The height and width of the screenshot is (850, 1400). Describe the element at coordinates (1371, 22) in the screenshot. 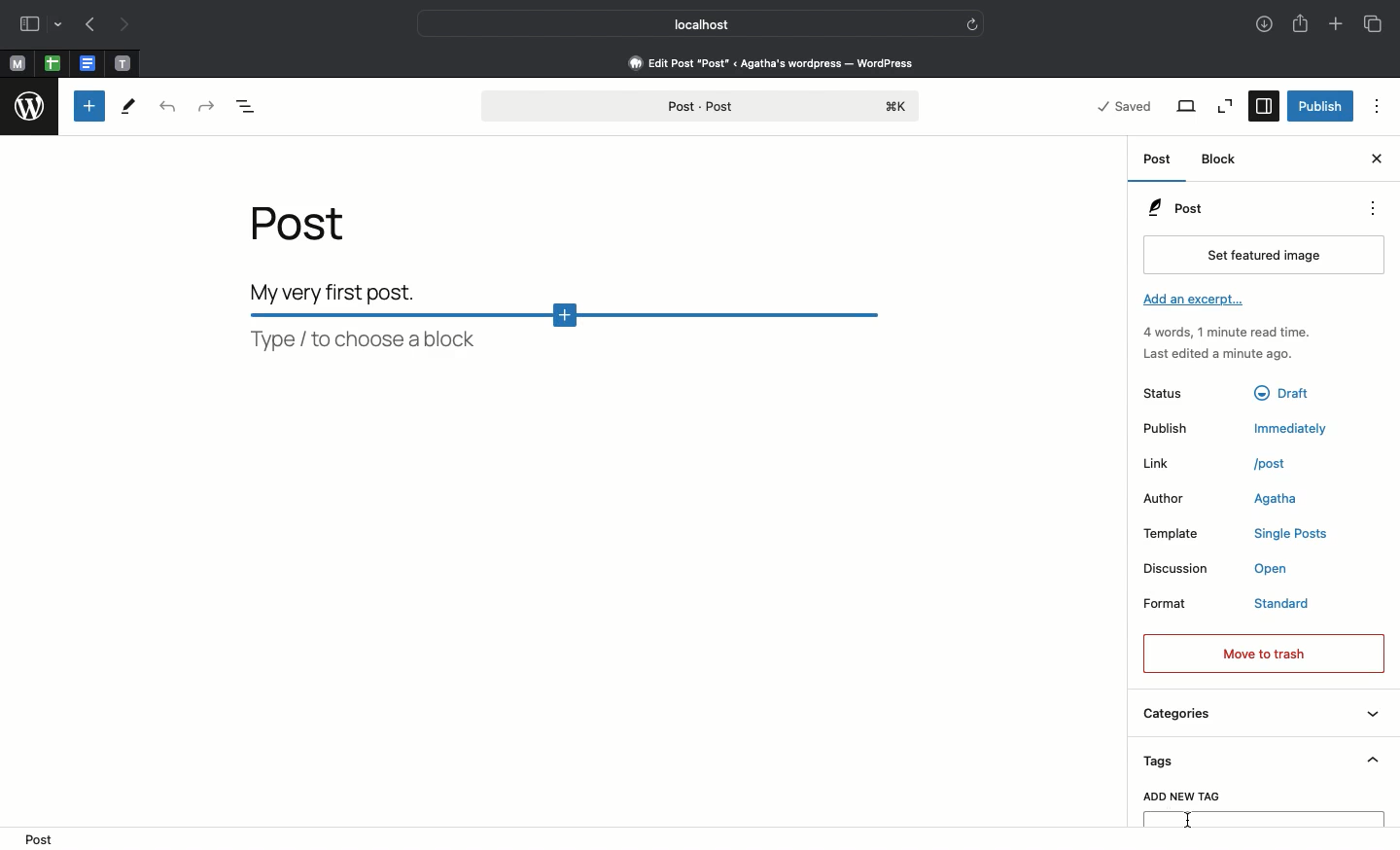

I see `Tabs` at that location.